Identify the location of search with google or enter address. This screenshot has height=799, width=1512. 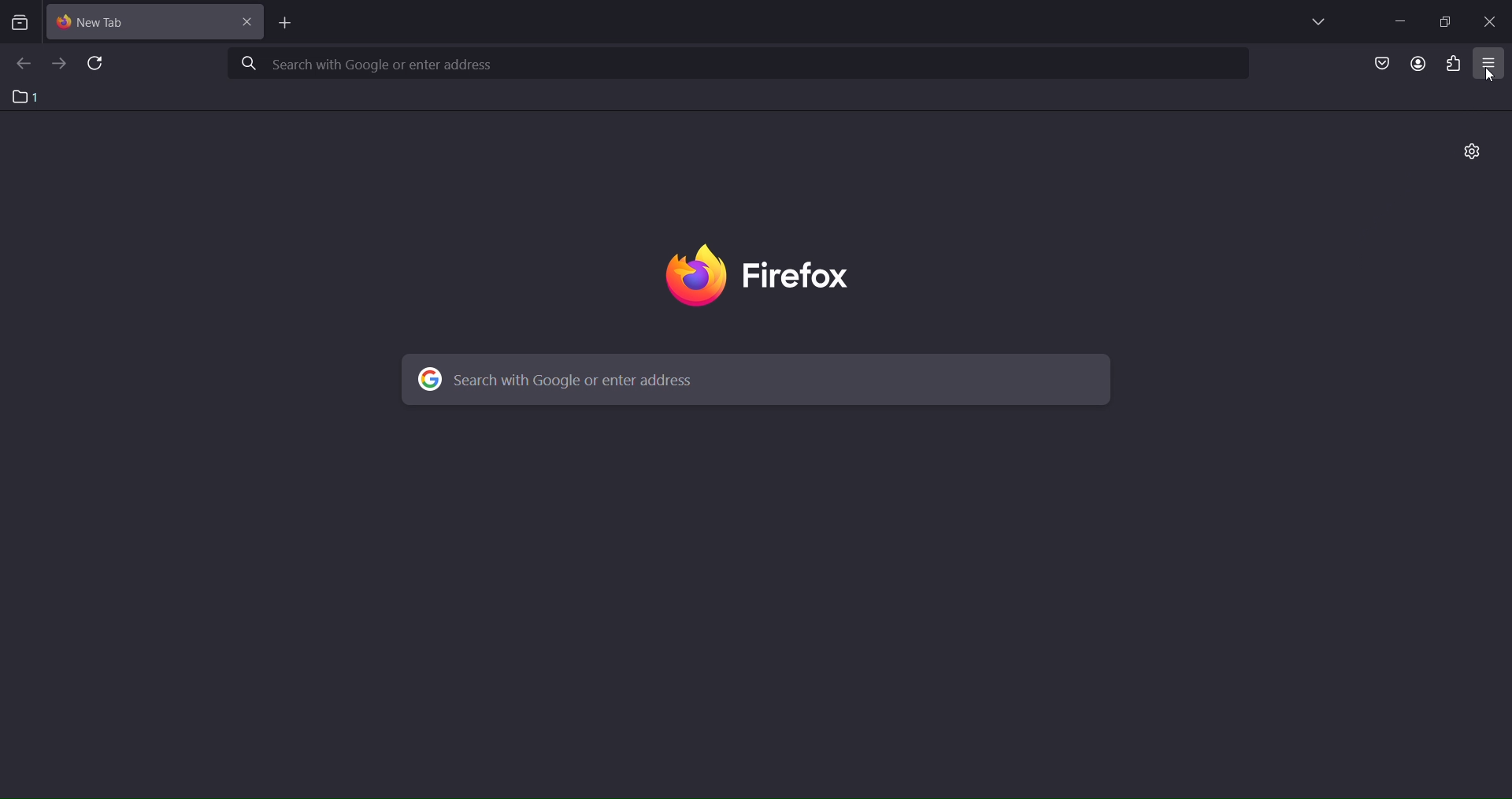
(732, 63).